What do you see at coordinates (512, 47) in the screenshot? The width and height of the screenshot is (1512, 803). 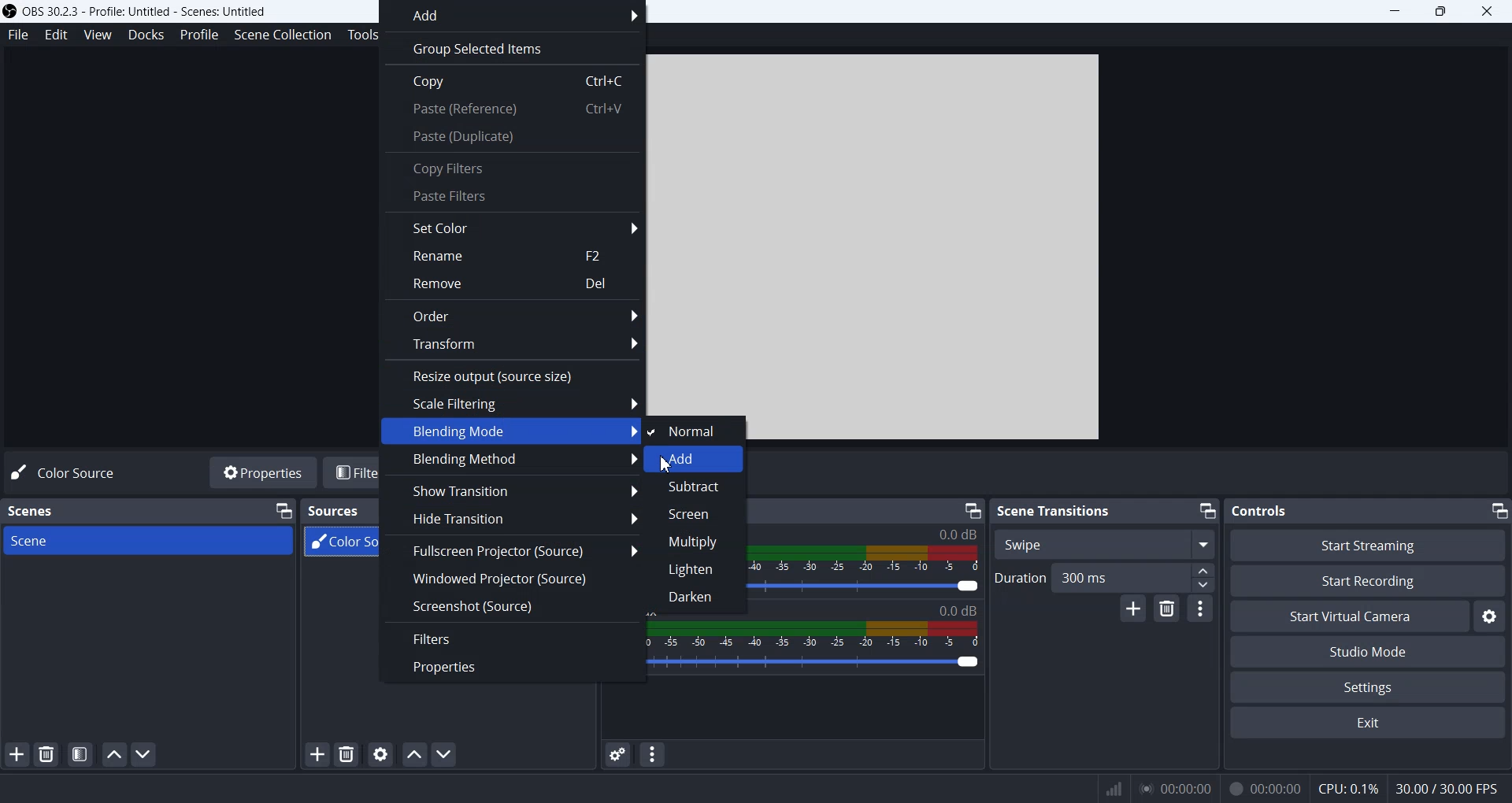 I see `Group Selected Items` at bounding box center [512, 47].